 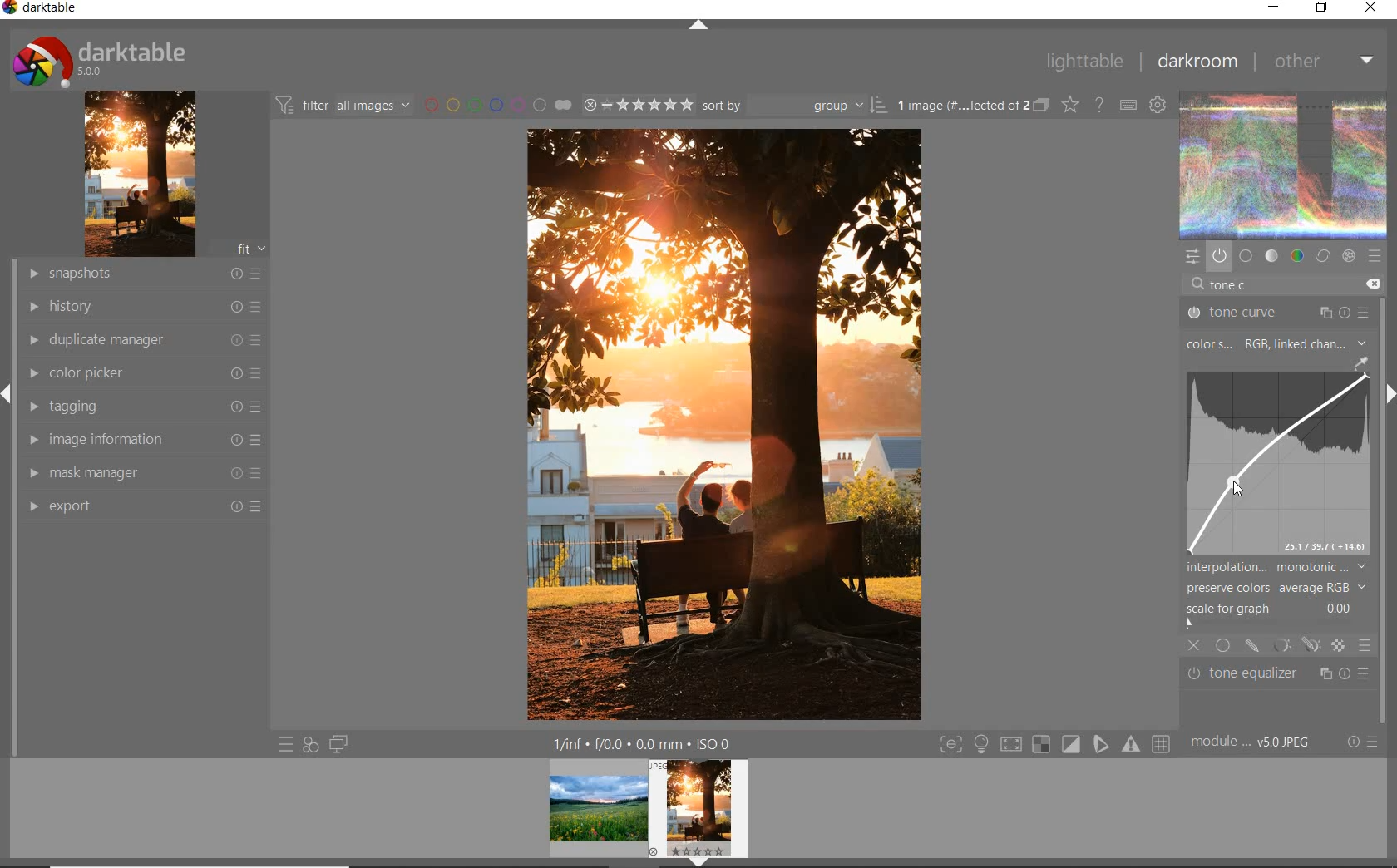 What do you see at coordinates (728, 427) in the screenshot?
I see `punch added to flat image` at bounding box center [728, 427].